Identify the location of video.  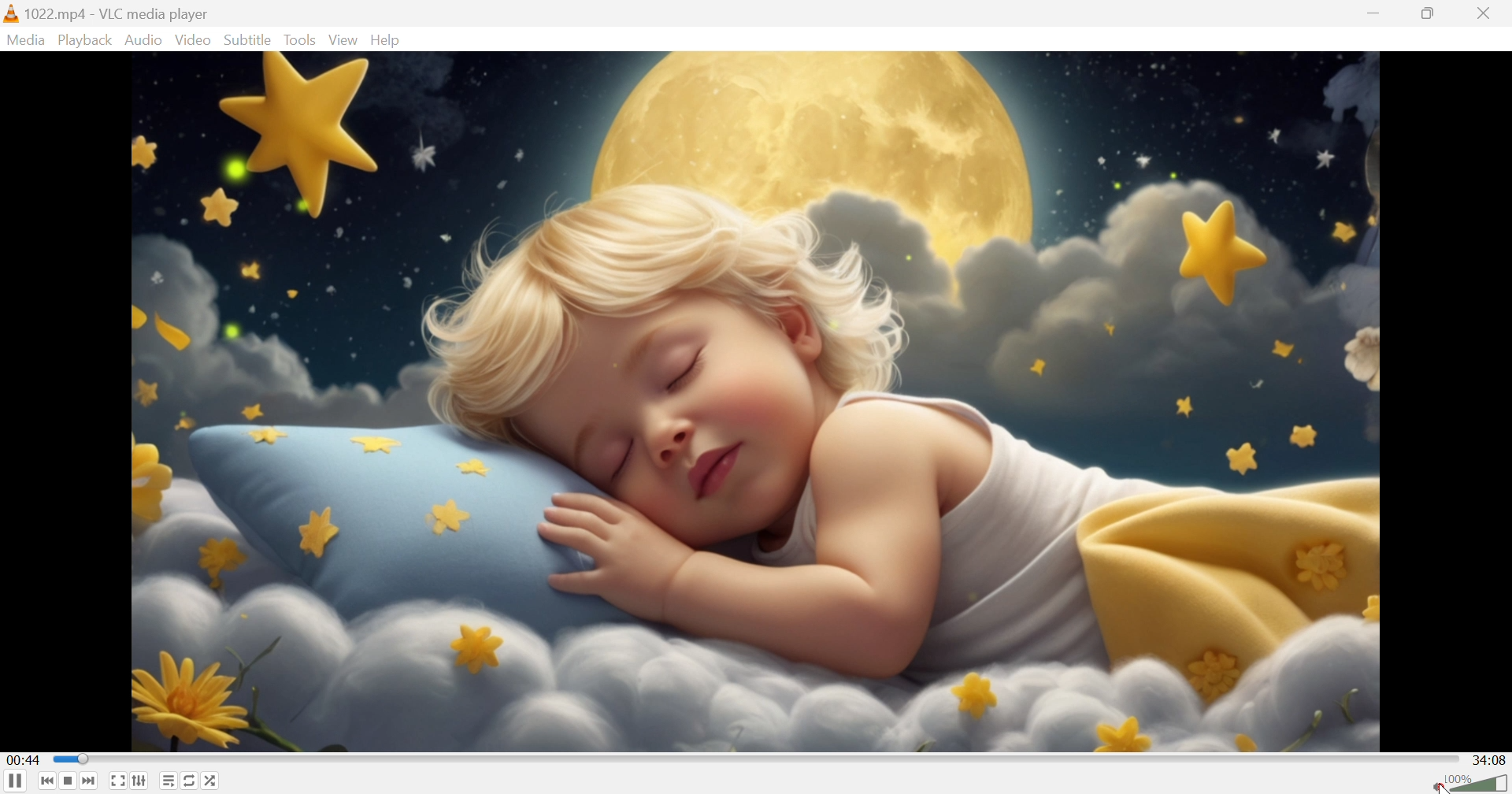
(754, 401).